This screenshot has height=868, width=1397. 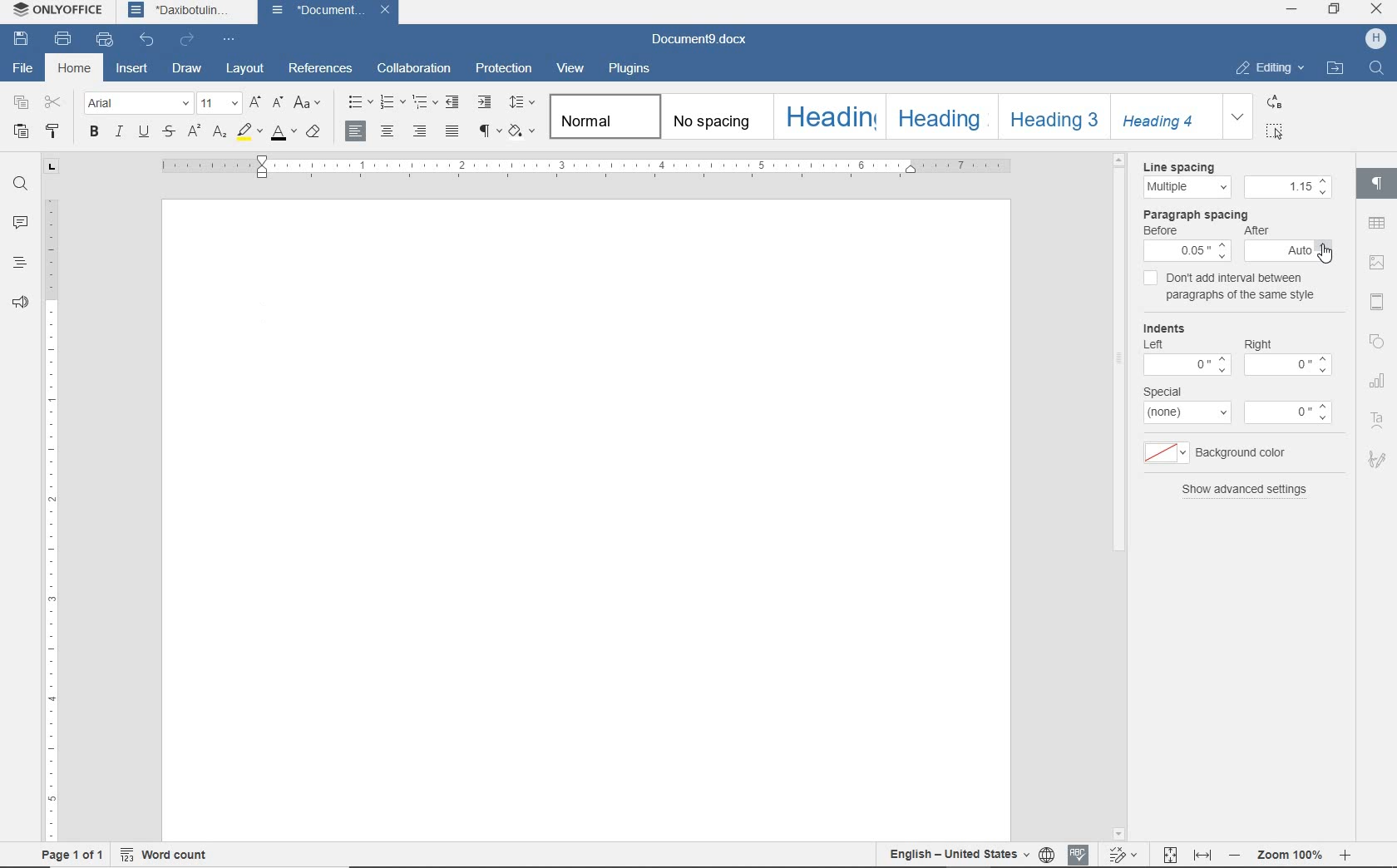 What do you see at coordinates (420, 131) in the screenshot?
I see `align left` at bounding box center [420, 131].